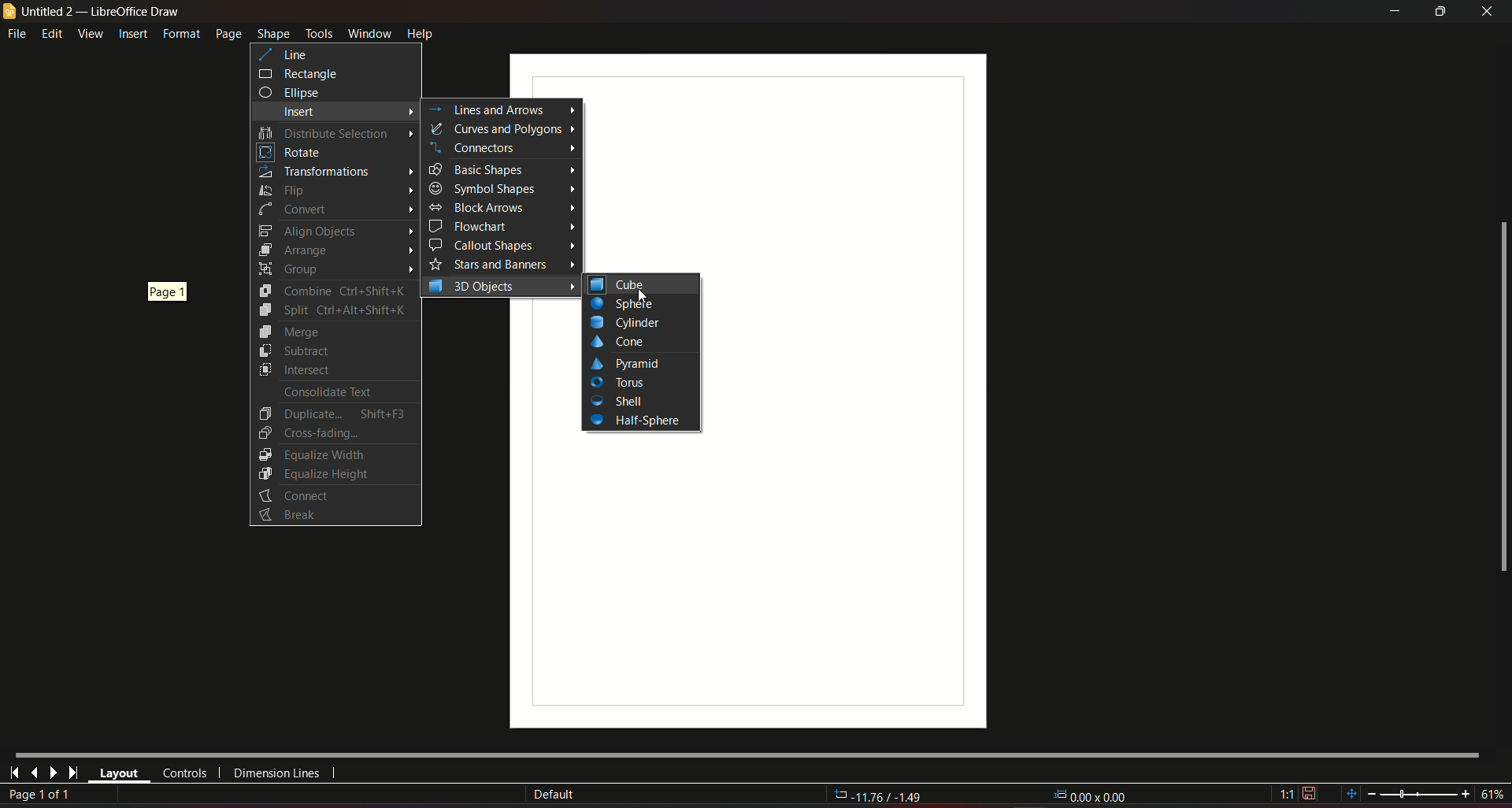  I want to click on Intersect, so click(296, 369).